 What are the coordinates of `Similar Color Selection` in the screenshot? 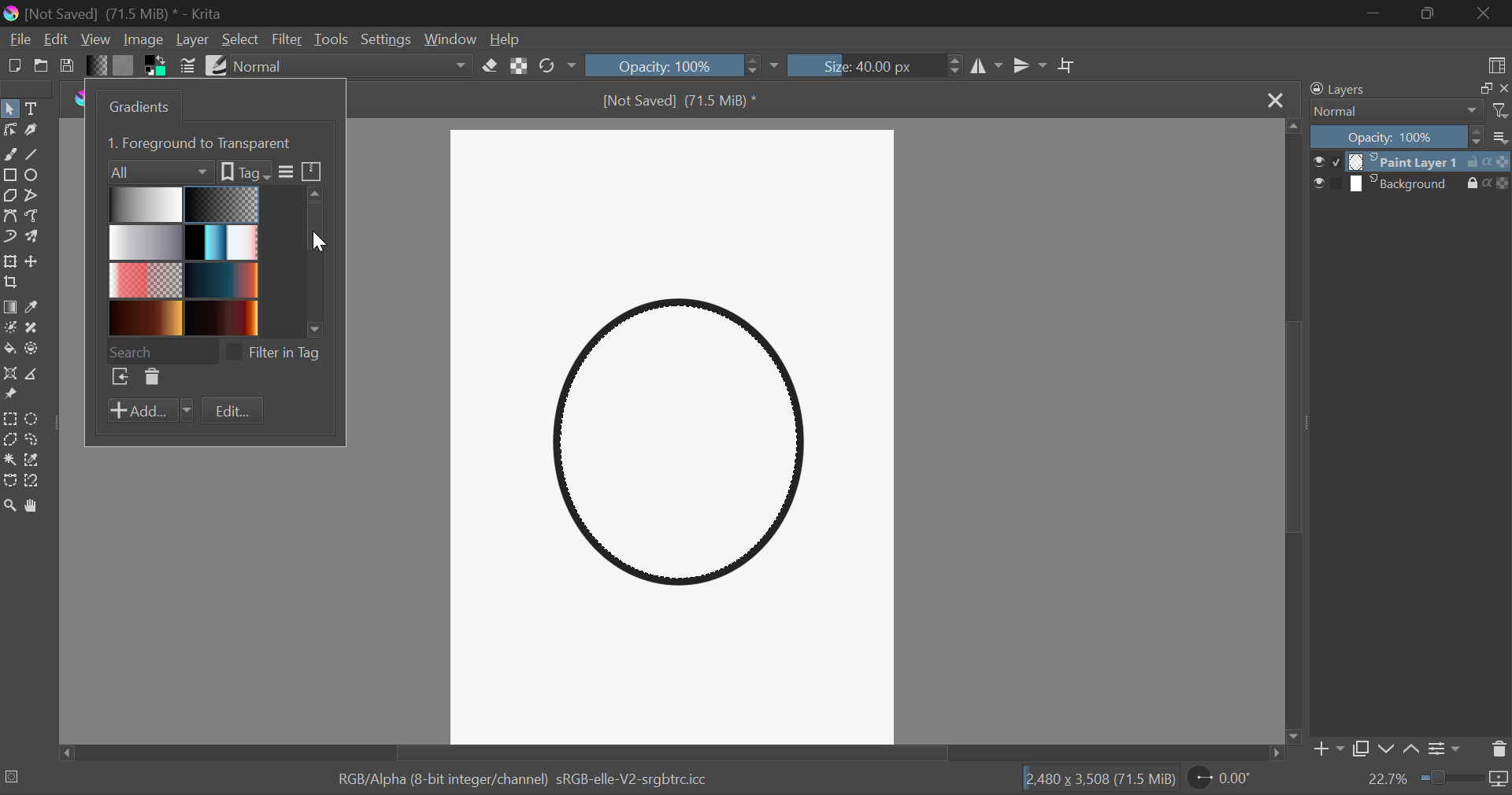 It's located at (39, 459).